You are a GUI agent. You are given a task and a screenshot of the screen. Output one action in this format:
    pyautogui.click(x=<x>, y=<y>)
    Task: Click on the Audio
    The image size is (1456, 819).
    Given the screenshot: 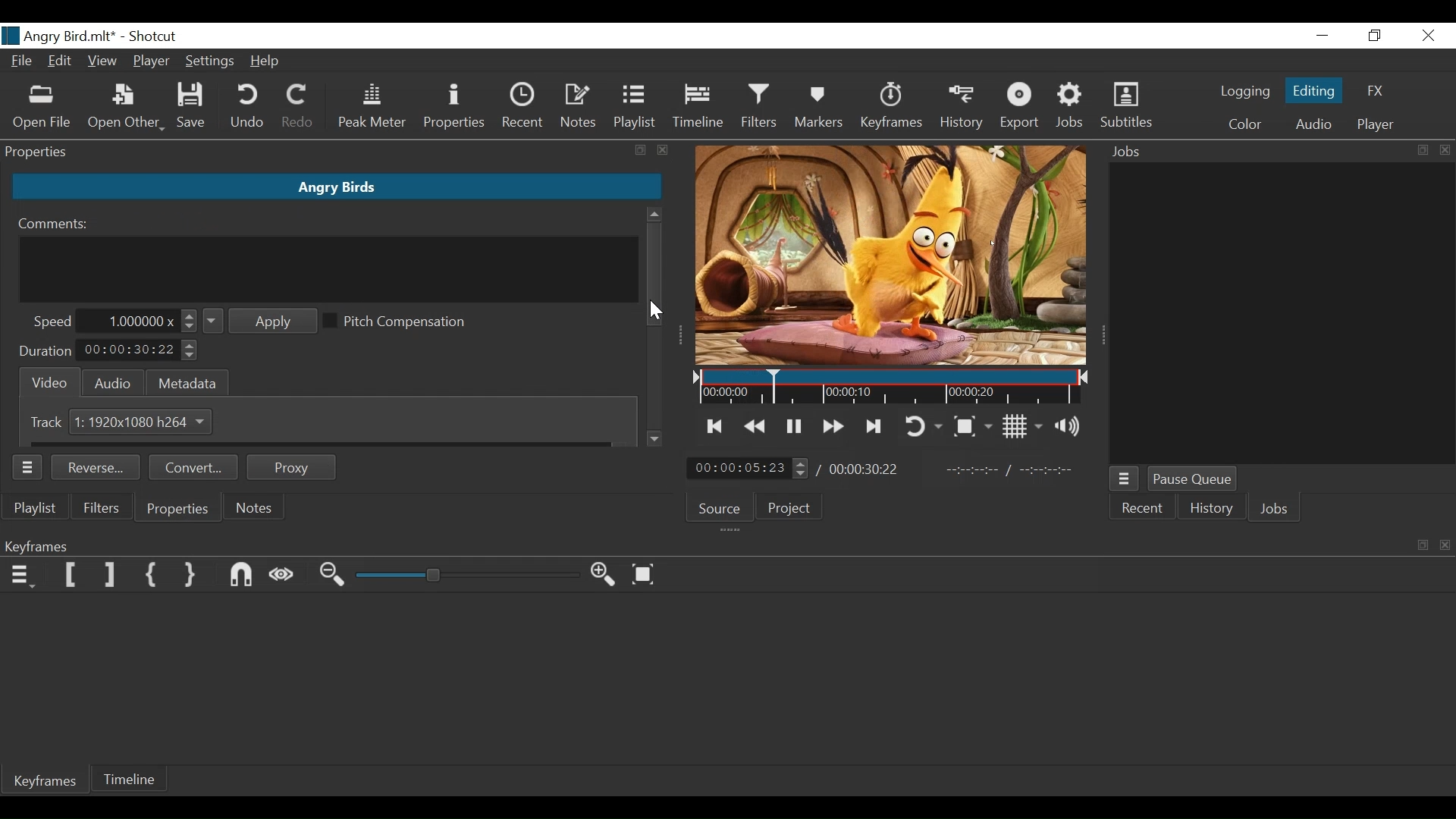 What is the action you would take?
    pyautogui.click(x=1311, y=124)
    